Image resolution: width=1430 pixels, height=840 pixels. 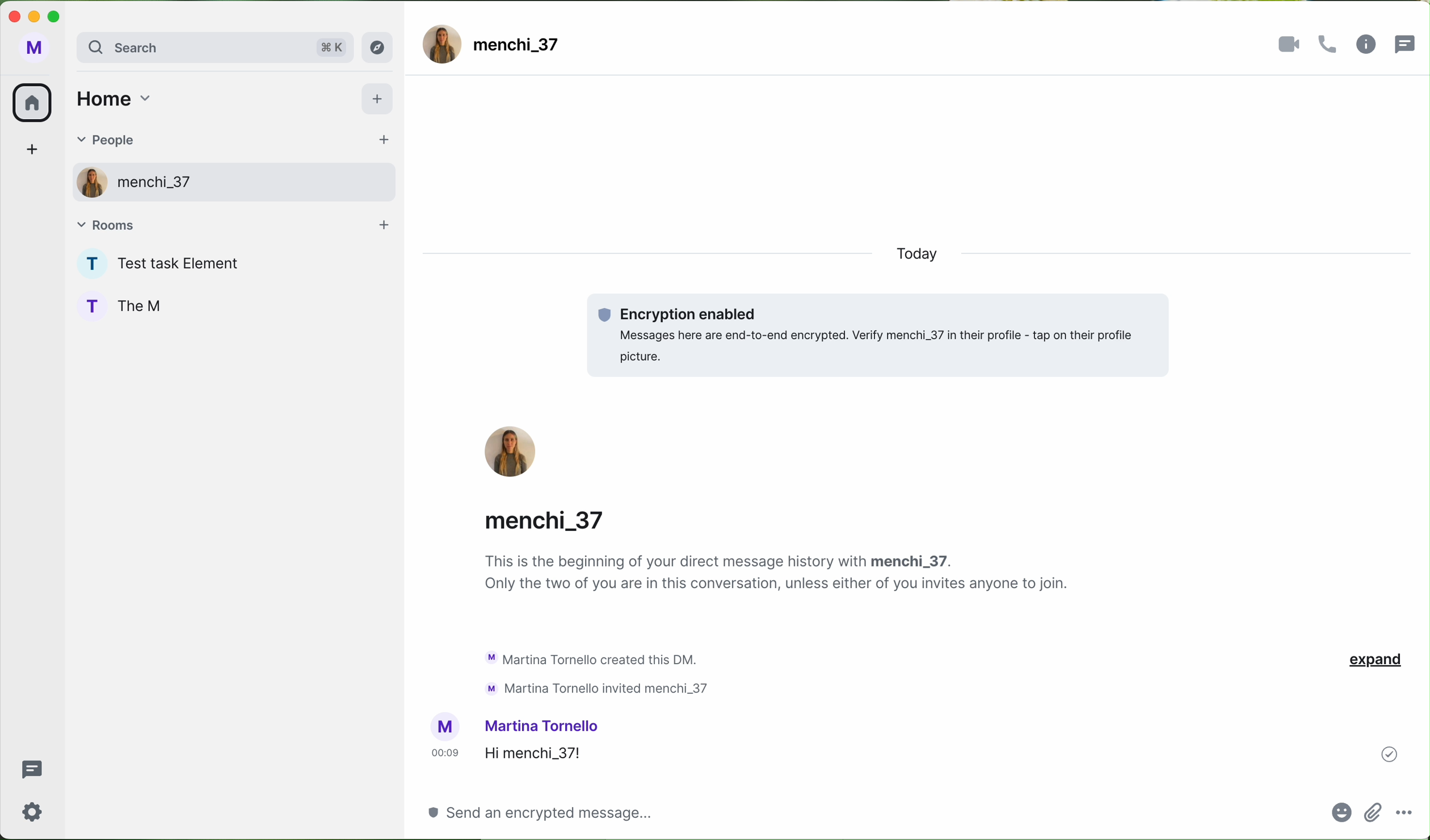 I want to click on user name, so click(x=519, y=50).